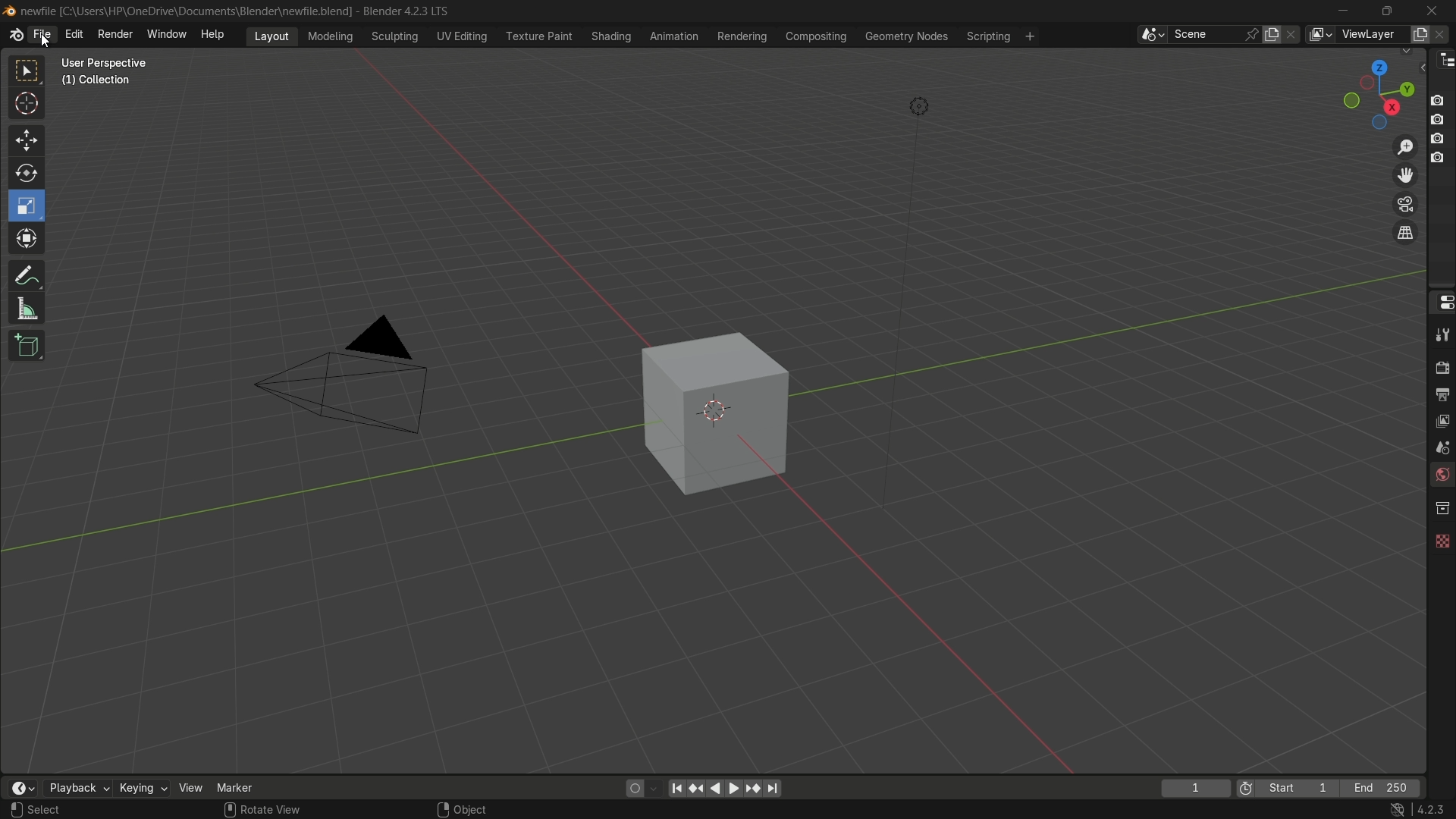 This screenshot has width=1456, height=819. I want to click on uv editing menu, so click(462, 36).